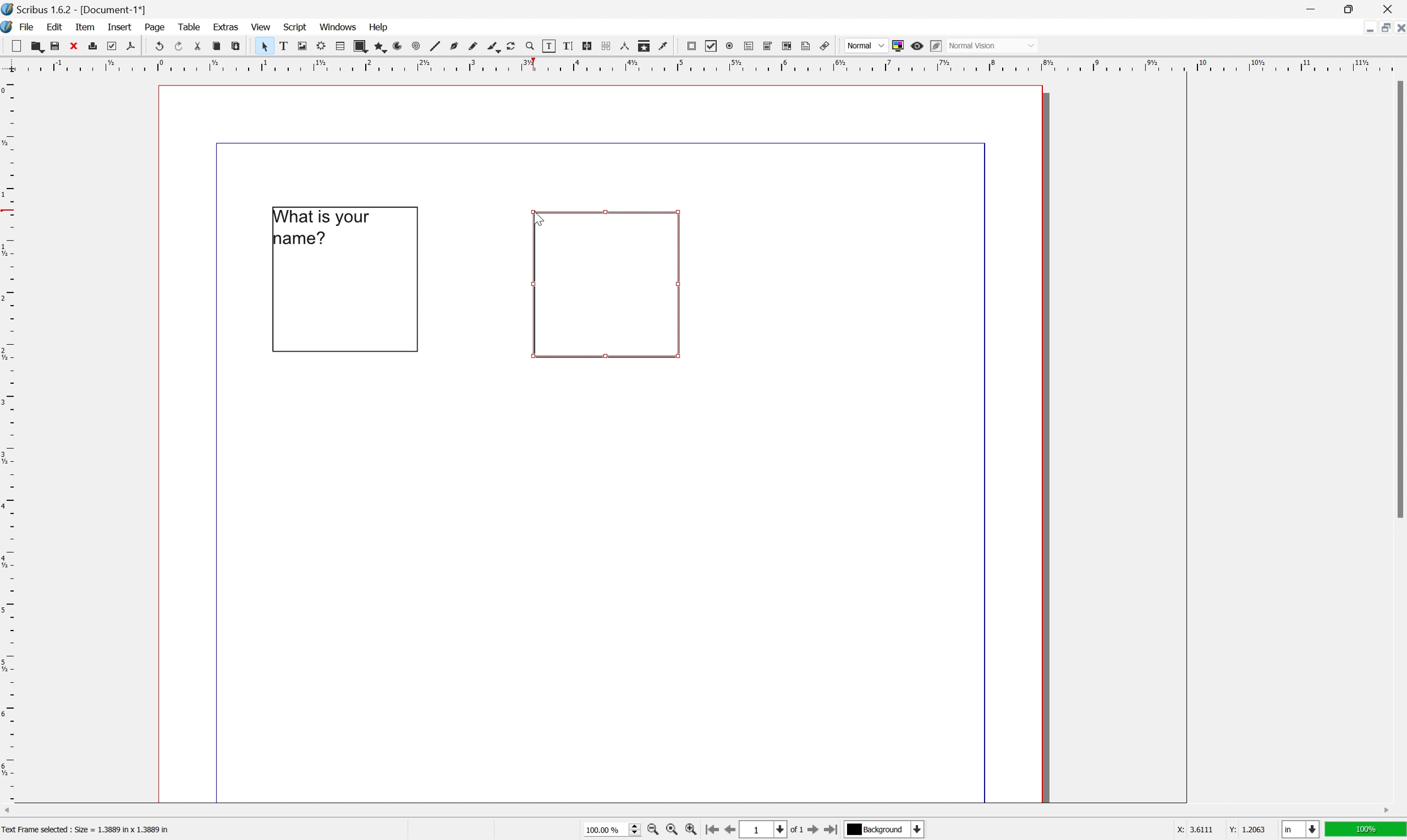  What do you see at coordinates (567, 45) in the screenshot?
I see `edit text with story editor` at bounding box center [567, 45].